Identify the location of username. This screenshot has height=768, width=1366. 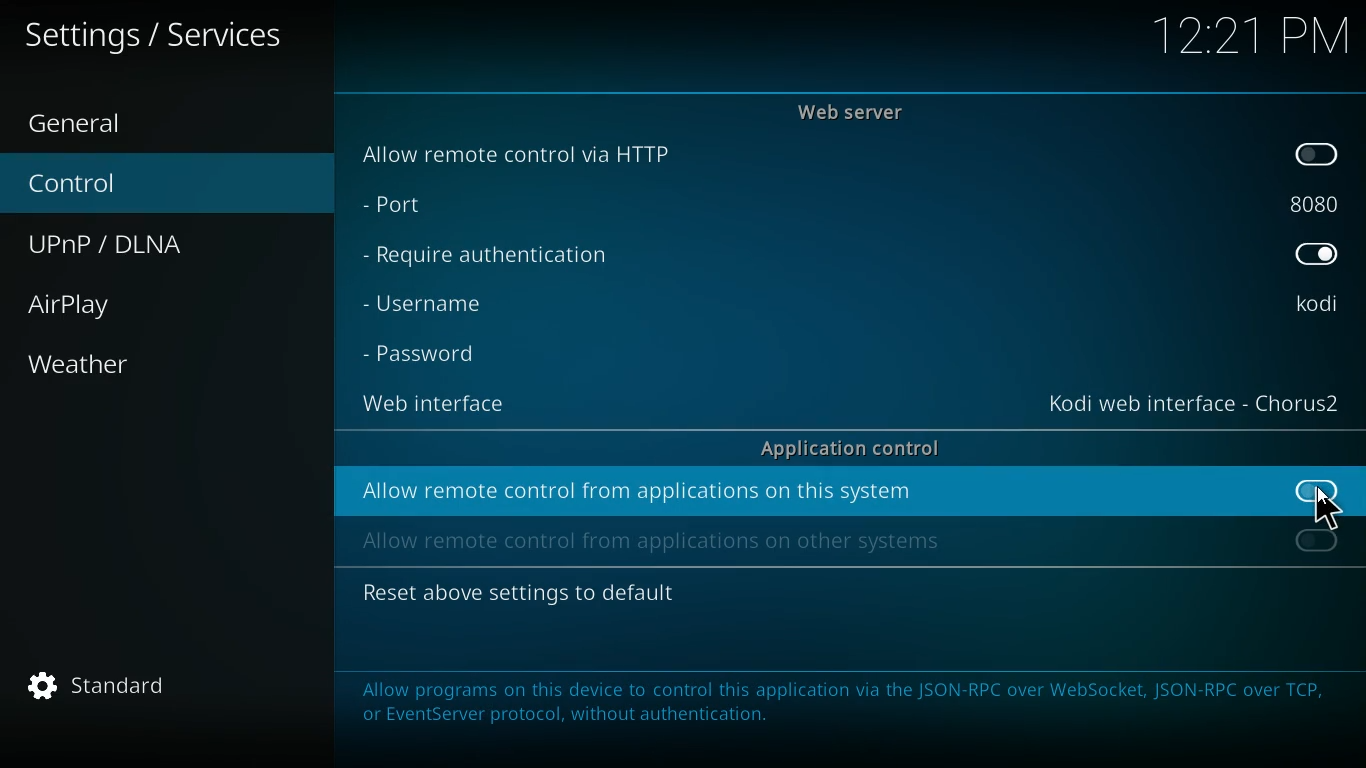
(428, 303).